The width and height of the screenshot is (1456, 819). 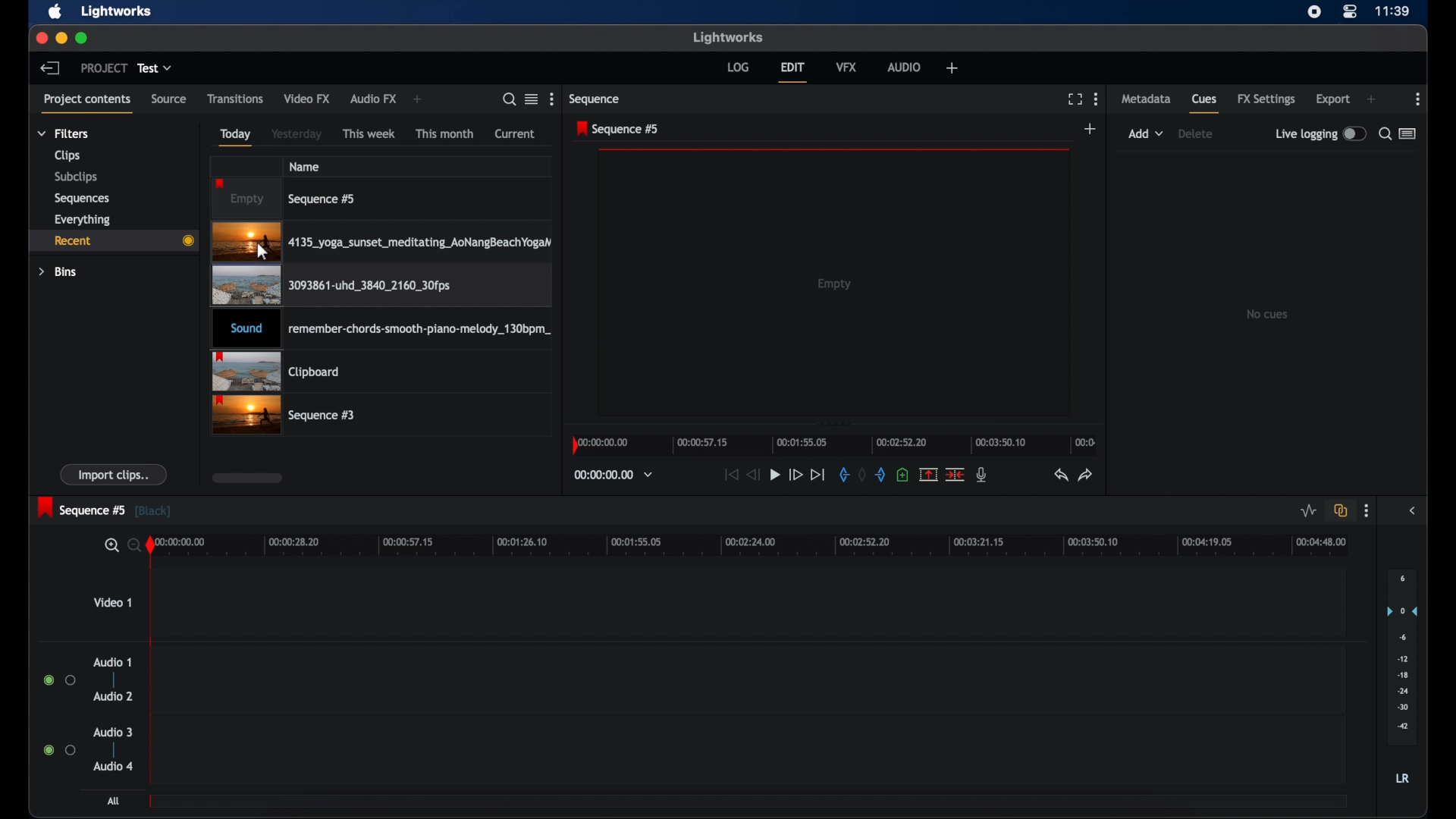 I want to click on sequences, so click(x=81, y=199).